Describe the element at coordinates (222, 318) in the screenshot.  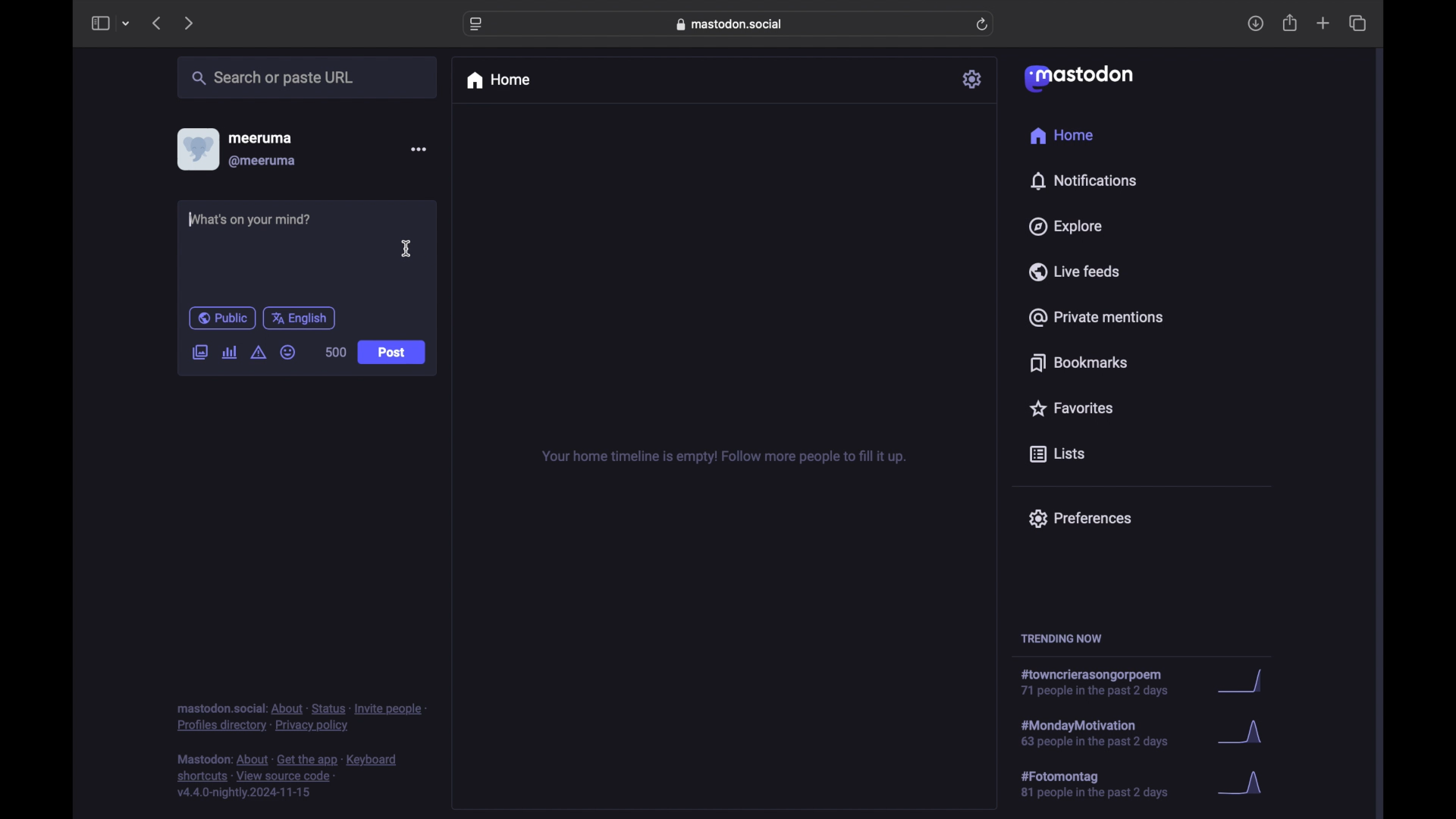
I see `public` at that location.